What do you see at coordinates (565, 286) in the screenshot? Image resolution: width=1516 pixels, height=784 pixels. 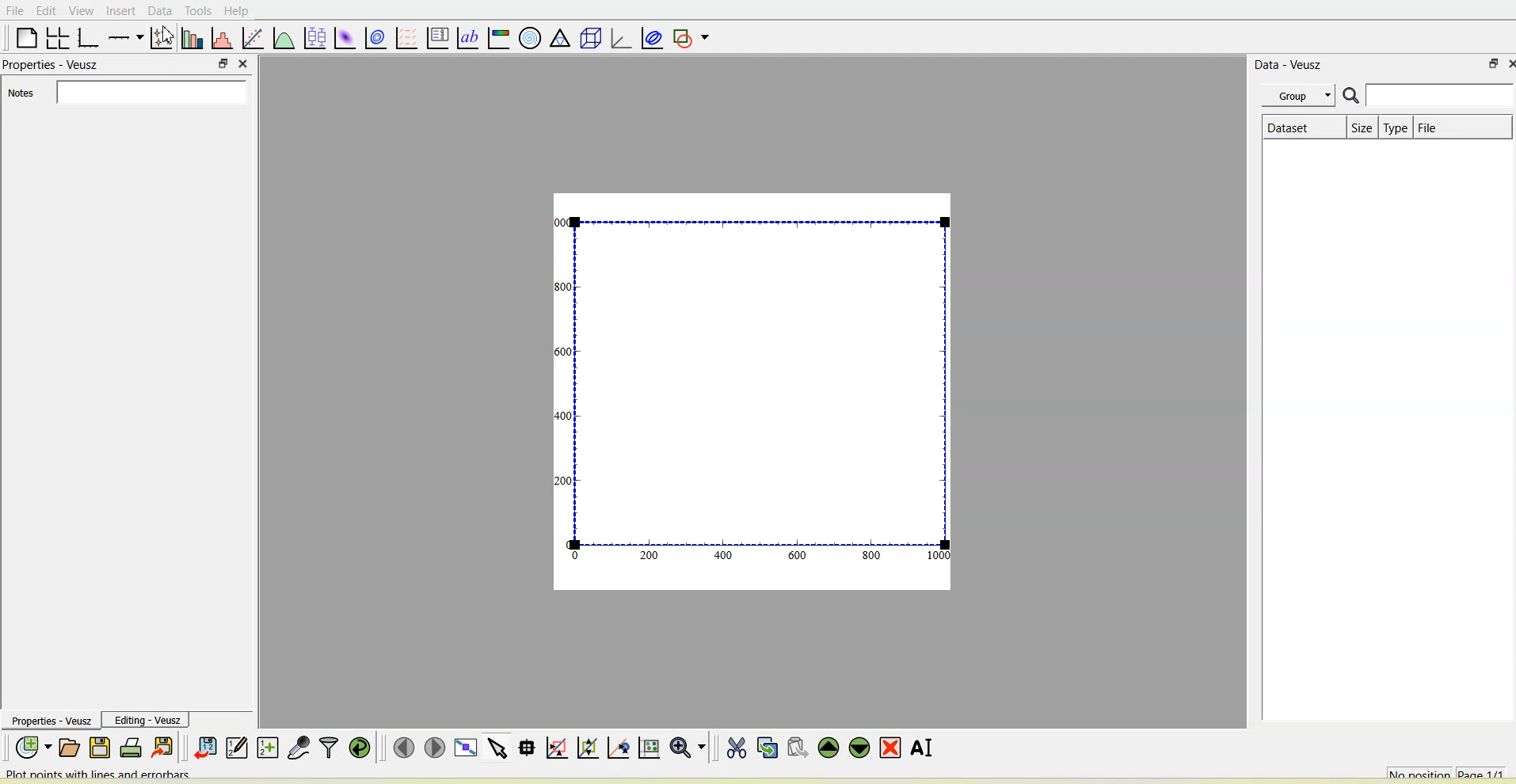 I see `300` at bounding box center [565, 286].